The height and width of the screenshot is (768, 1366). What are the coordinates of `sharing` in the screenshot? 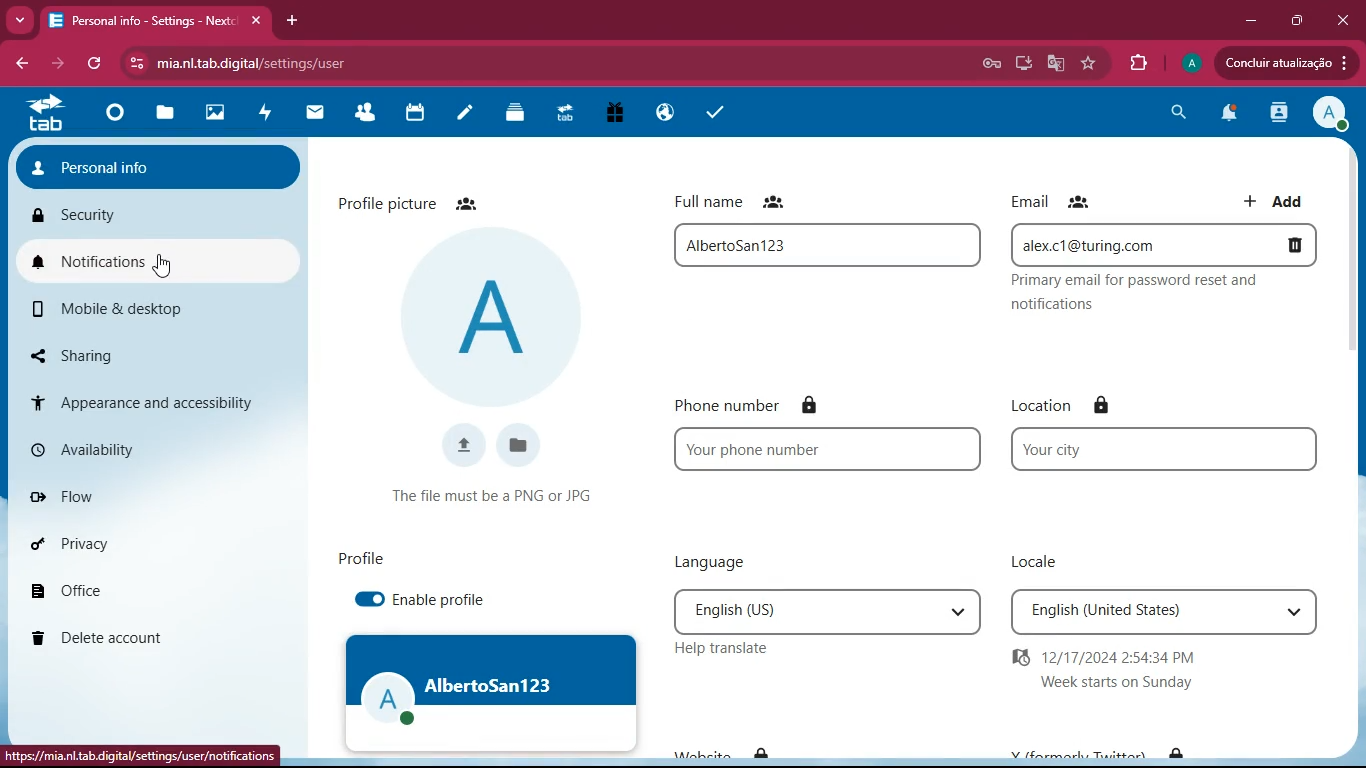 It's located at (120, 351).